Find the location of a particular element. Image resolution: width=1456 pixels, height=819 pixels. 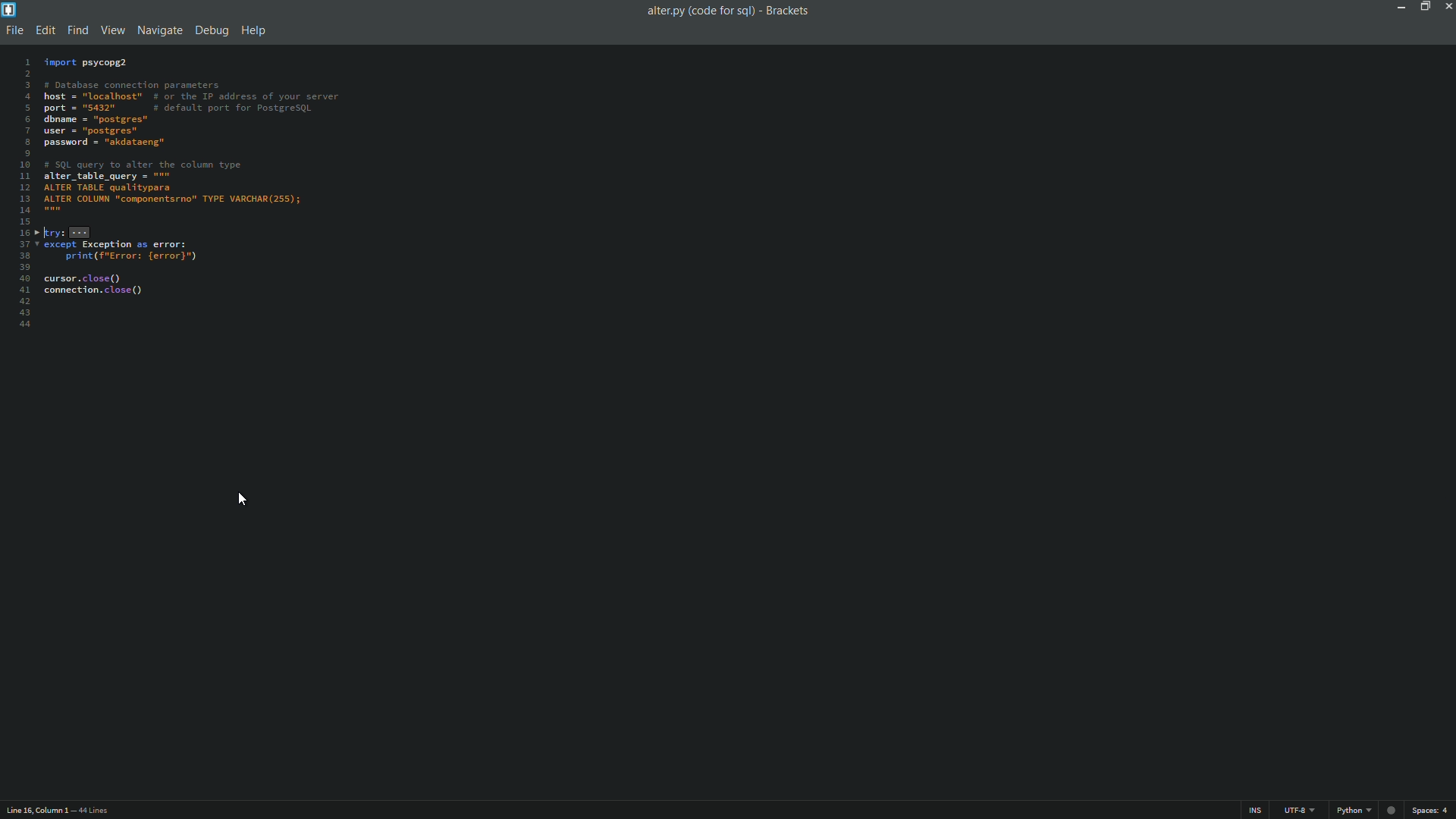

view menu is located at coordinates (115, 30).